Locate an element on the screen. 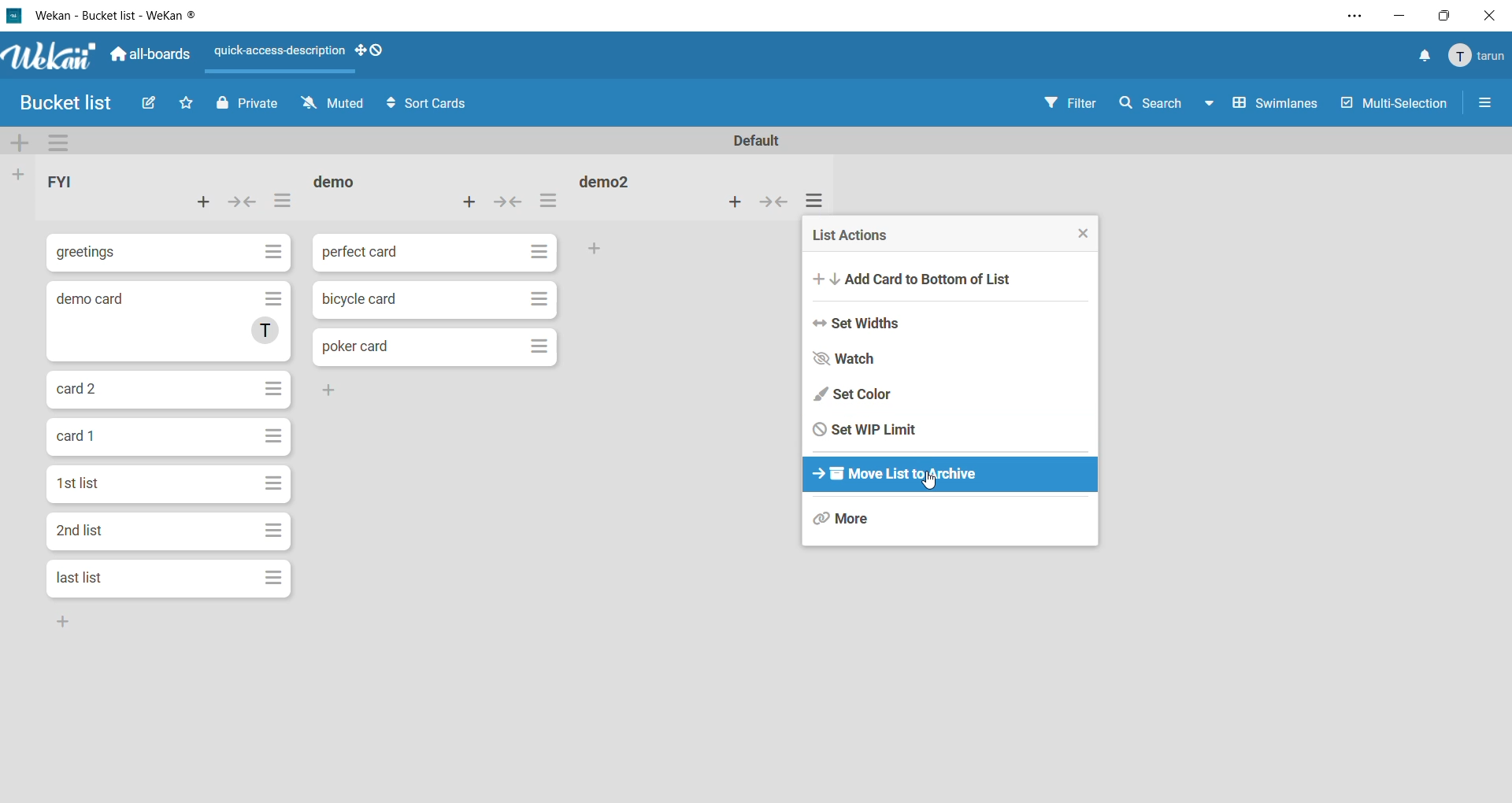 Image resolution: width=1512 pixels, height=803 pixels. show desktop drag handles is located at coordinates (372, 51).